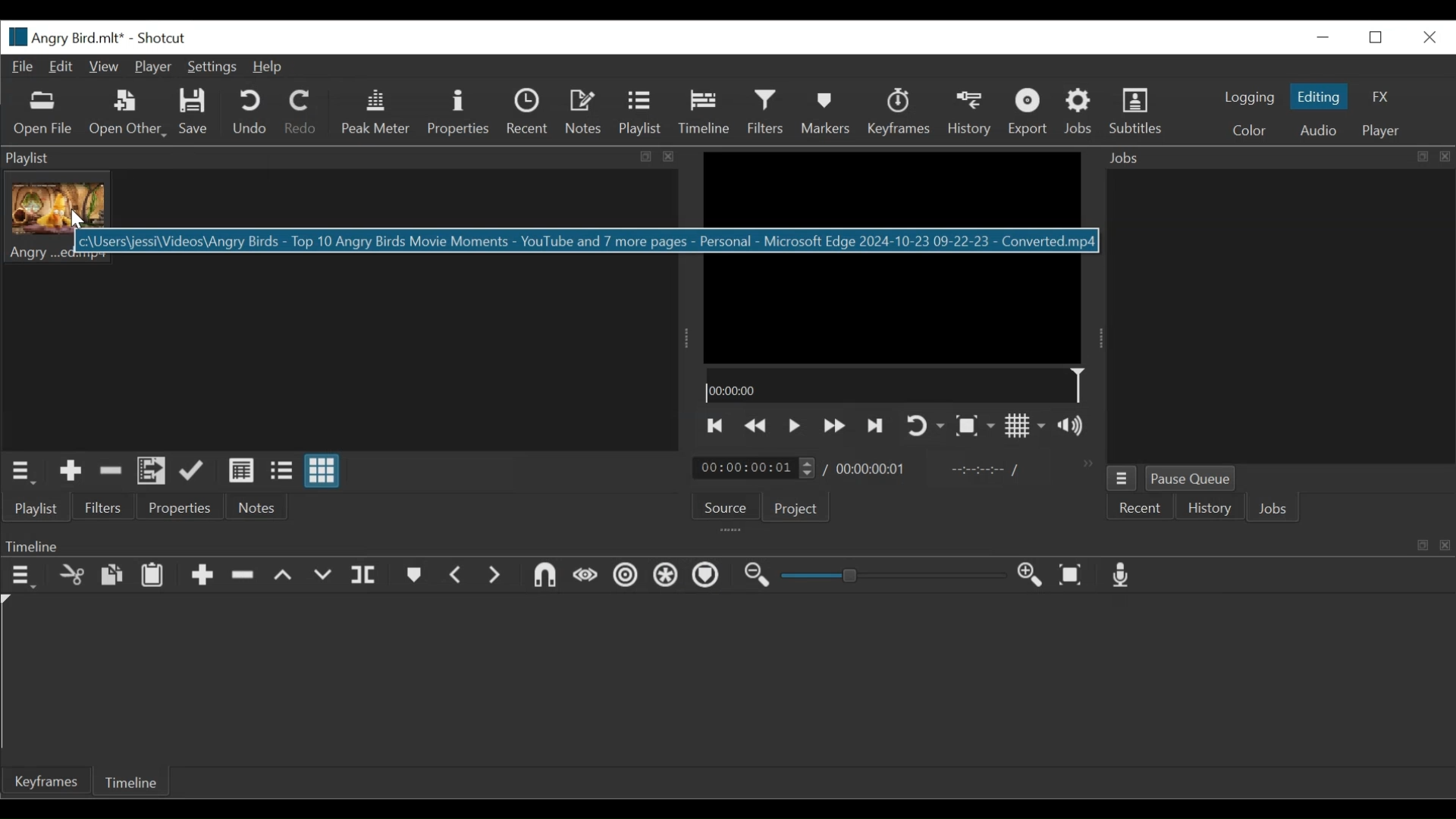  I want to click on Notes, so click(254, 507).